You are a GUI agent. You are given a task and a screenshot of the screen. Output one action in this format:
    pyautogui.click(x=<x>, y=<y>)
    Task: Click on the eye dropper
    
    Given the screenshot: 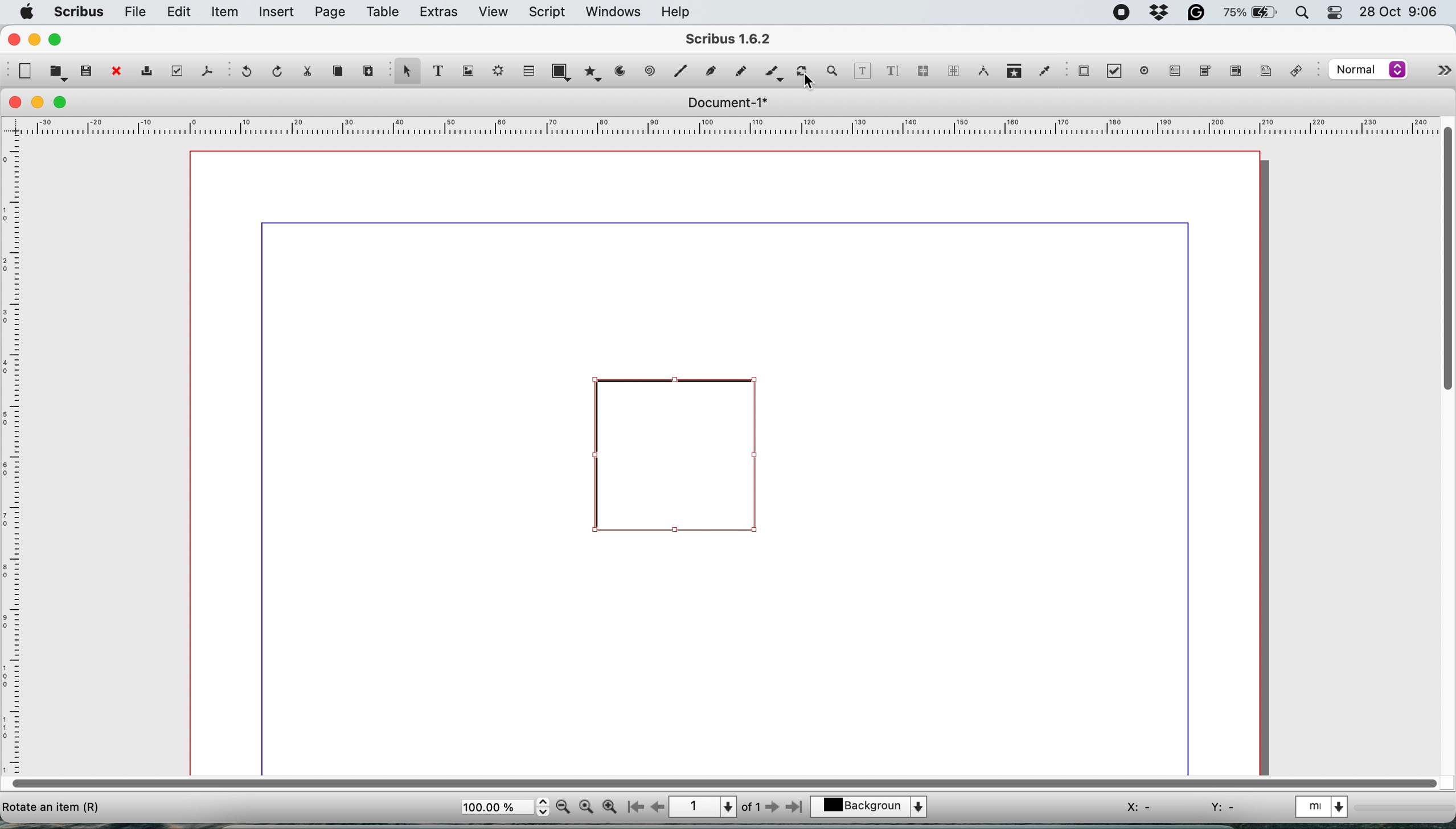 What is the action you would take?
    pyautogui.click(x=1044, y=70)
    